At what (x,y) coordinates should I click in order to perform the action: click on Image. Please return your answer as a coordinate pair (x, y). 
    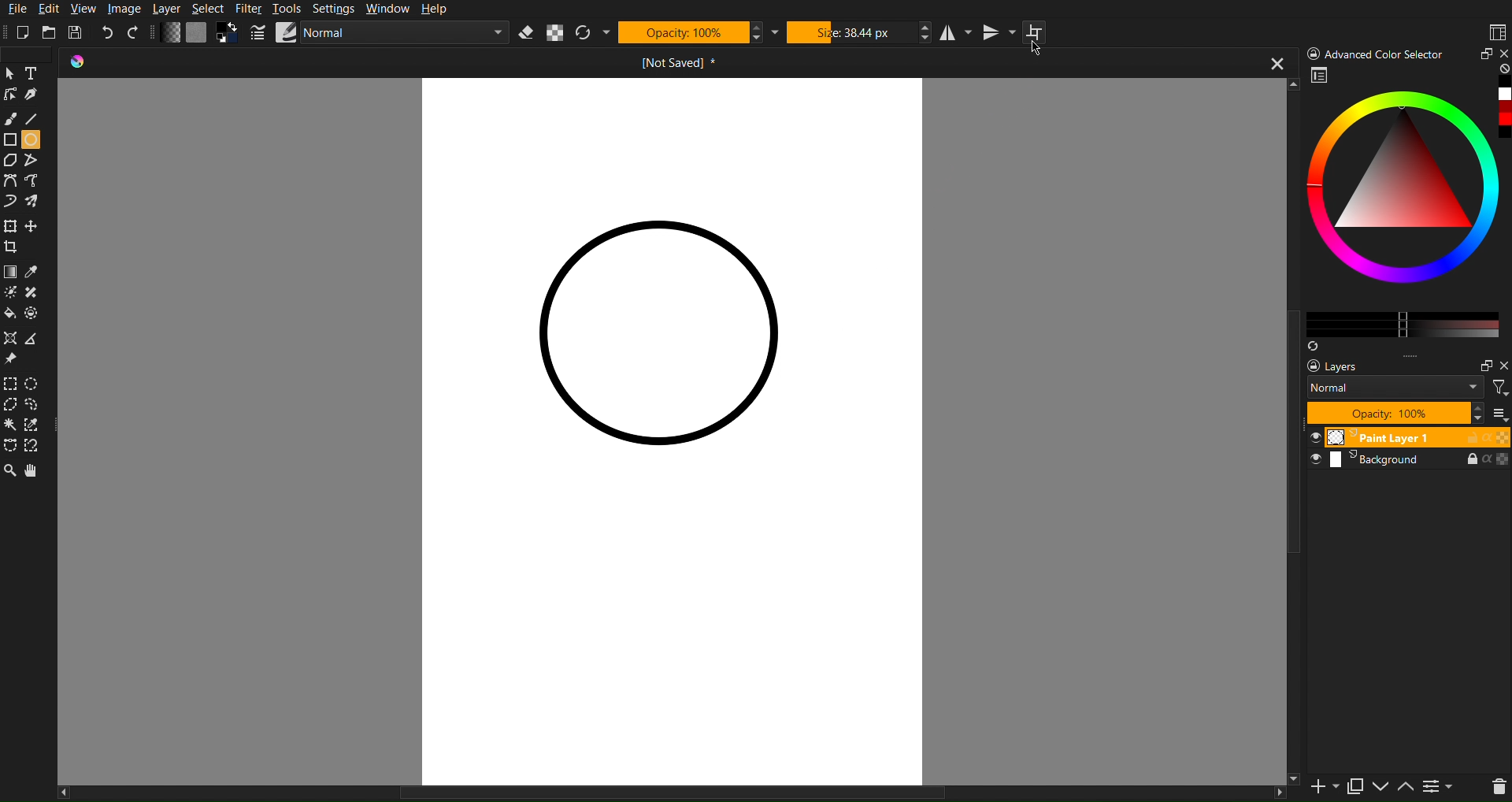
    Looking at the image, I should click on (125, 9).